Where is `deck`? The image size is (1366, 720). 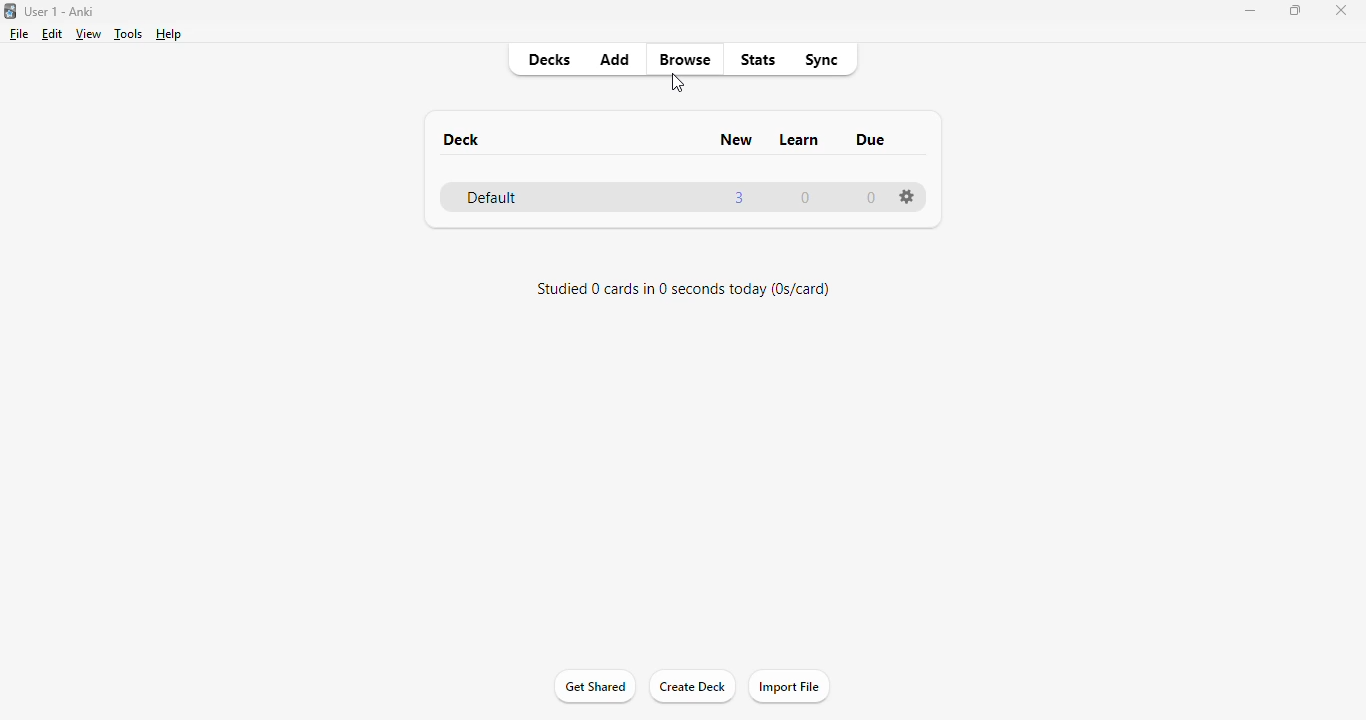 deck is located at coordinates (459, 139).